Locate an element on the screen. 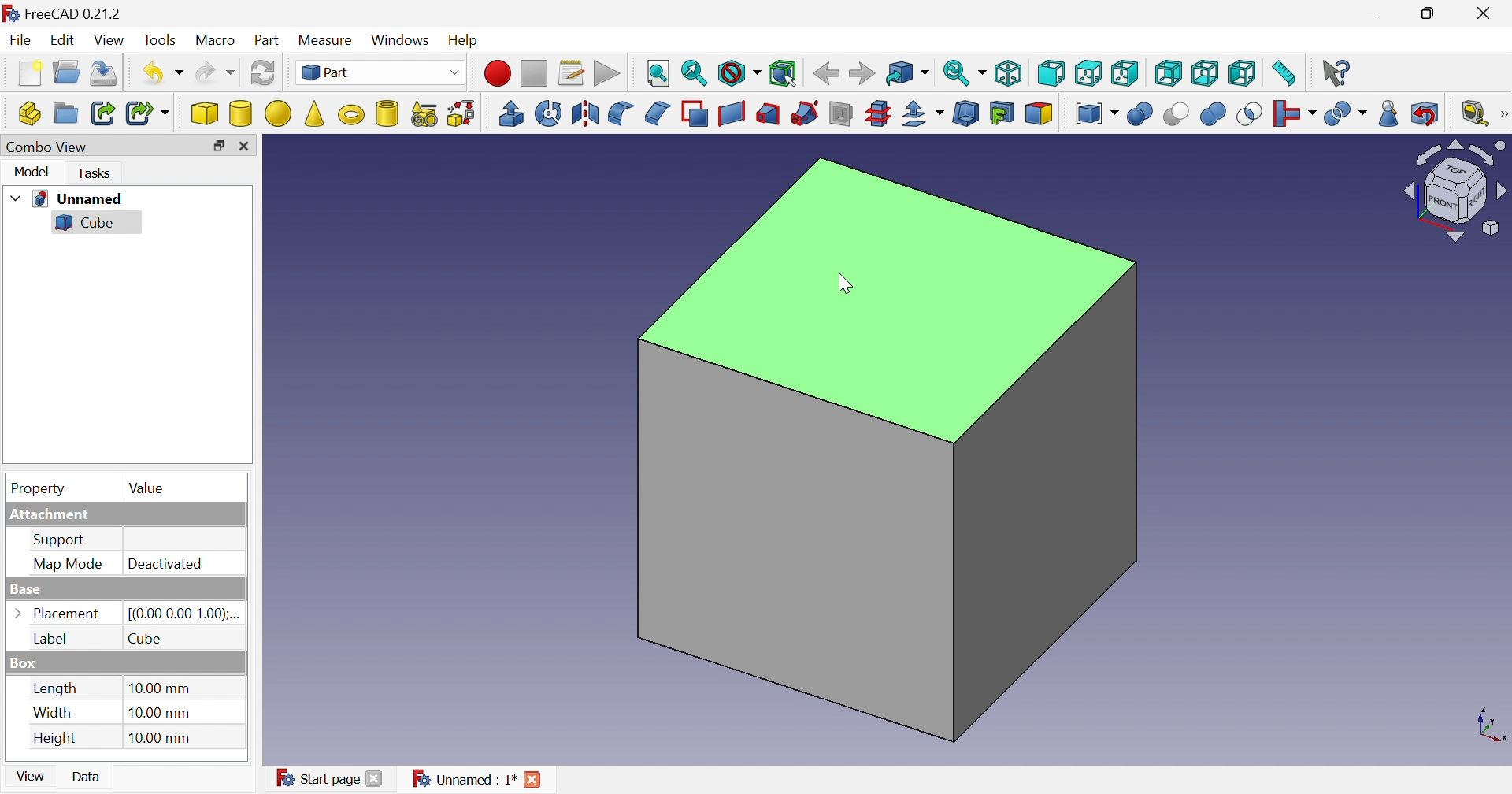 The height and width of the screenshot is (794, 1512). Box is located at coordinates (28, 662).